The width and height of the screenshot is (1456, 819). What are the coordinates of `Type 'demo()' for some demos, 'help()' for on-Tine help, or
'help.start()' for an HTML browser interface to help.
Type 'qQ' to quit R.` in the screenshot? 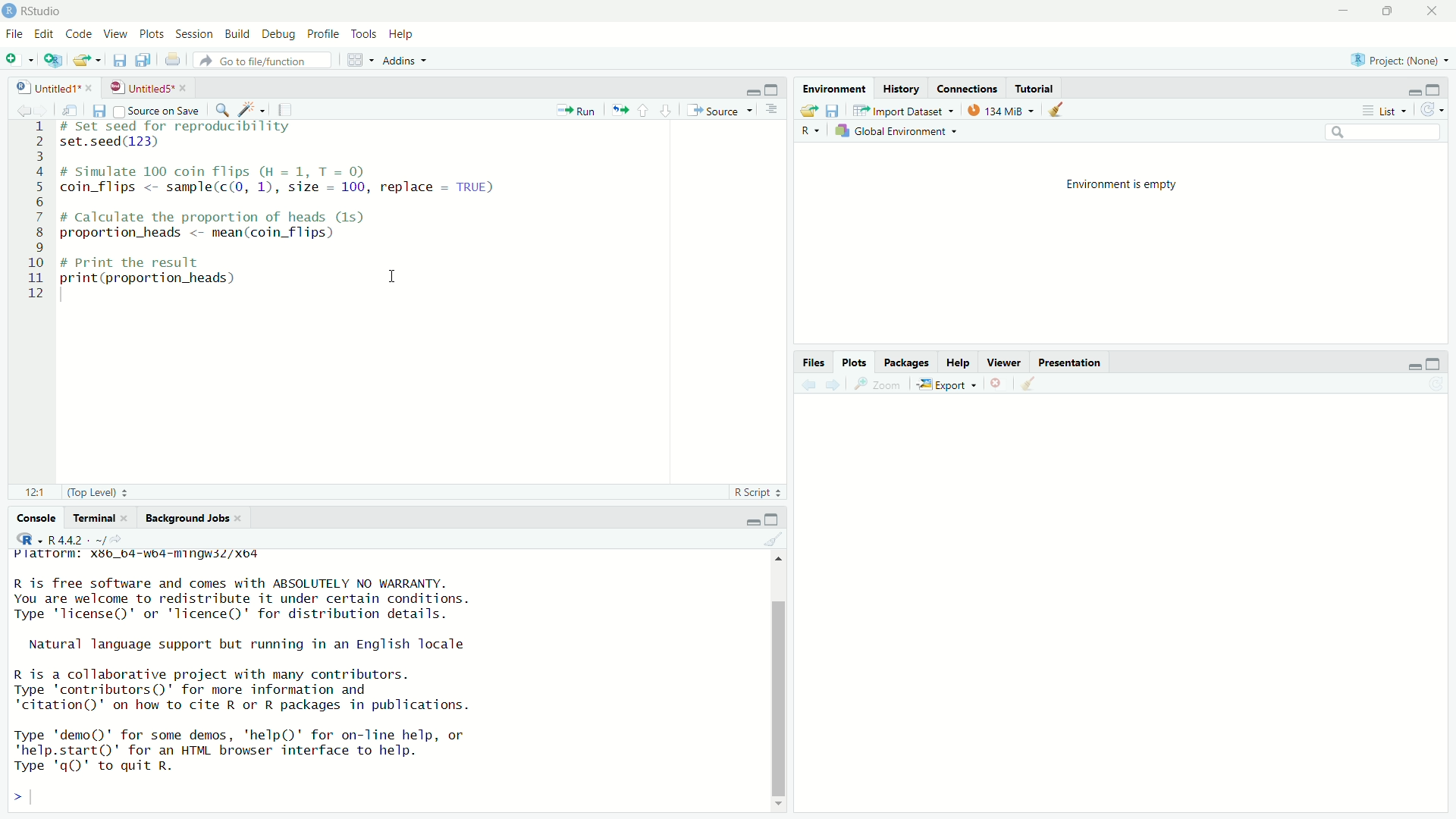 It's located at (268, 752).